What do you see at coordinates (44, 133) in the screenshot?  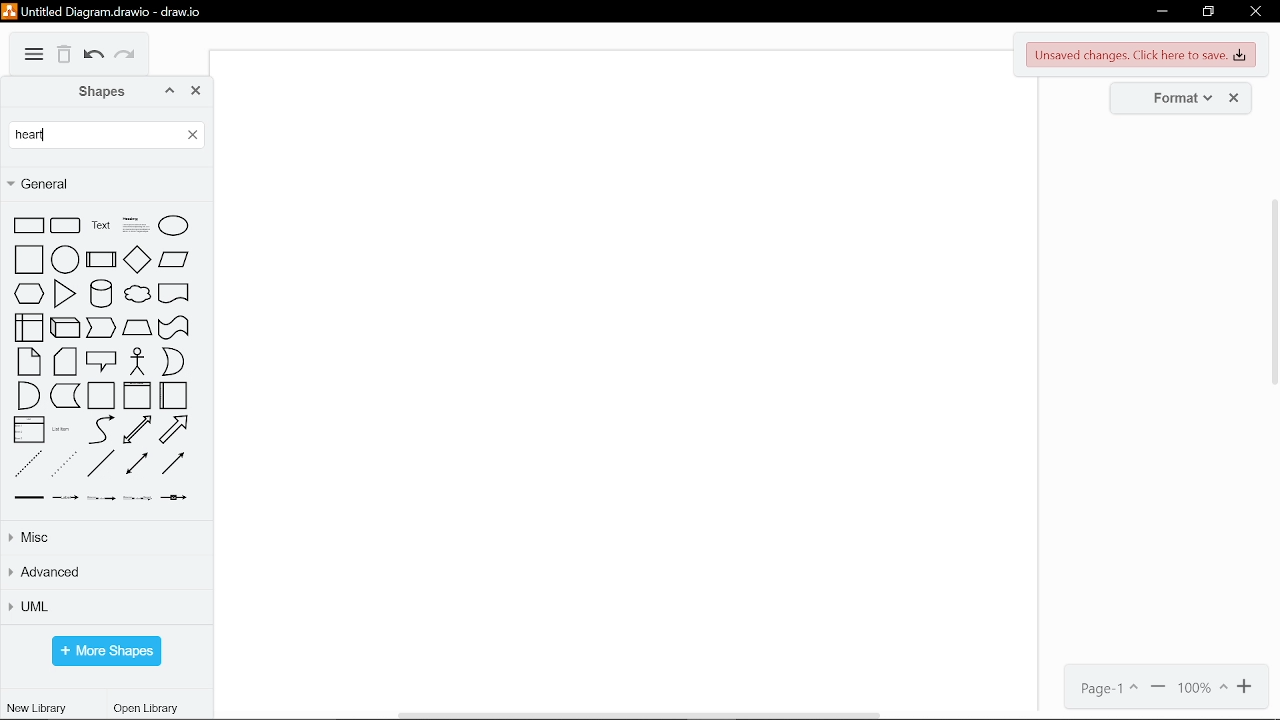 I see `text cursor` at bounding box center [44, 133].